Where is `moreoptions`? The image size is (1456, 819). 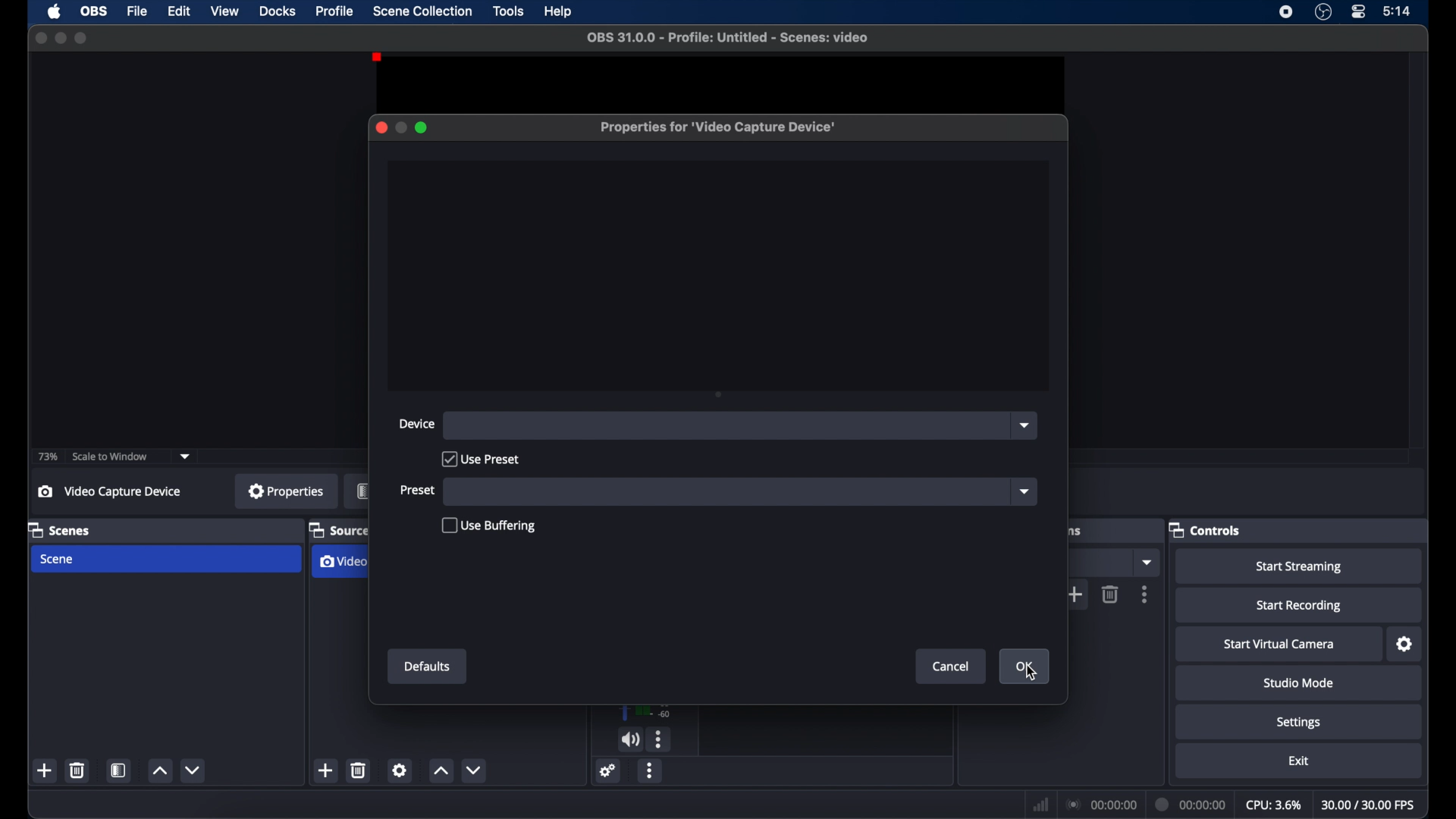 moreoptions is located at coordinates (1145, 594).